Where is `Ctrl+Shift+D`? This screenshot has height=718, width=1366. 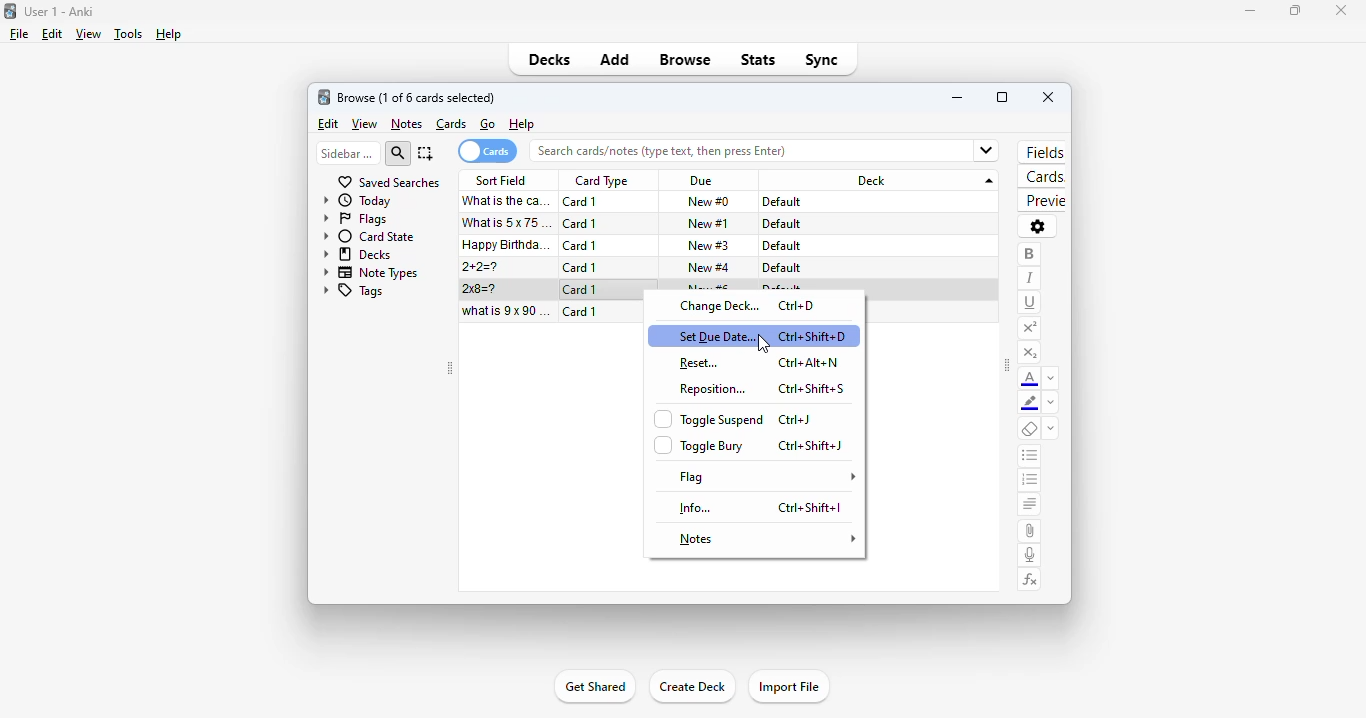 Ctrl+Shift+D is located at coordinates (814, 336).